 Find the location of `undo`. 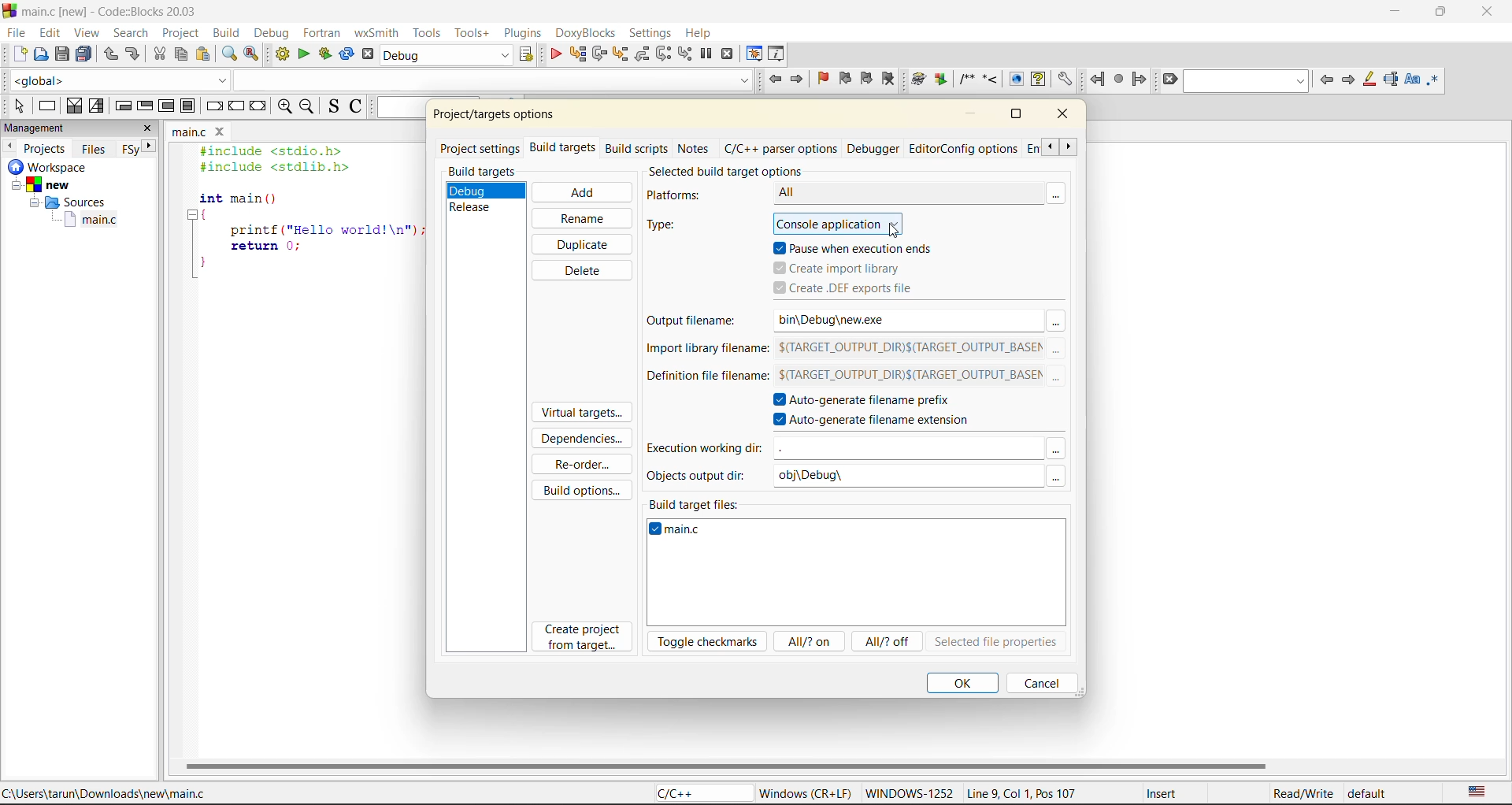

undo is located at coordinates (112, 56).